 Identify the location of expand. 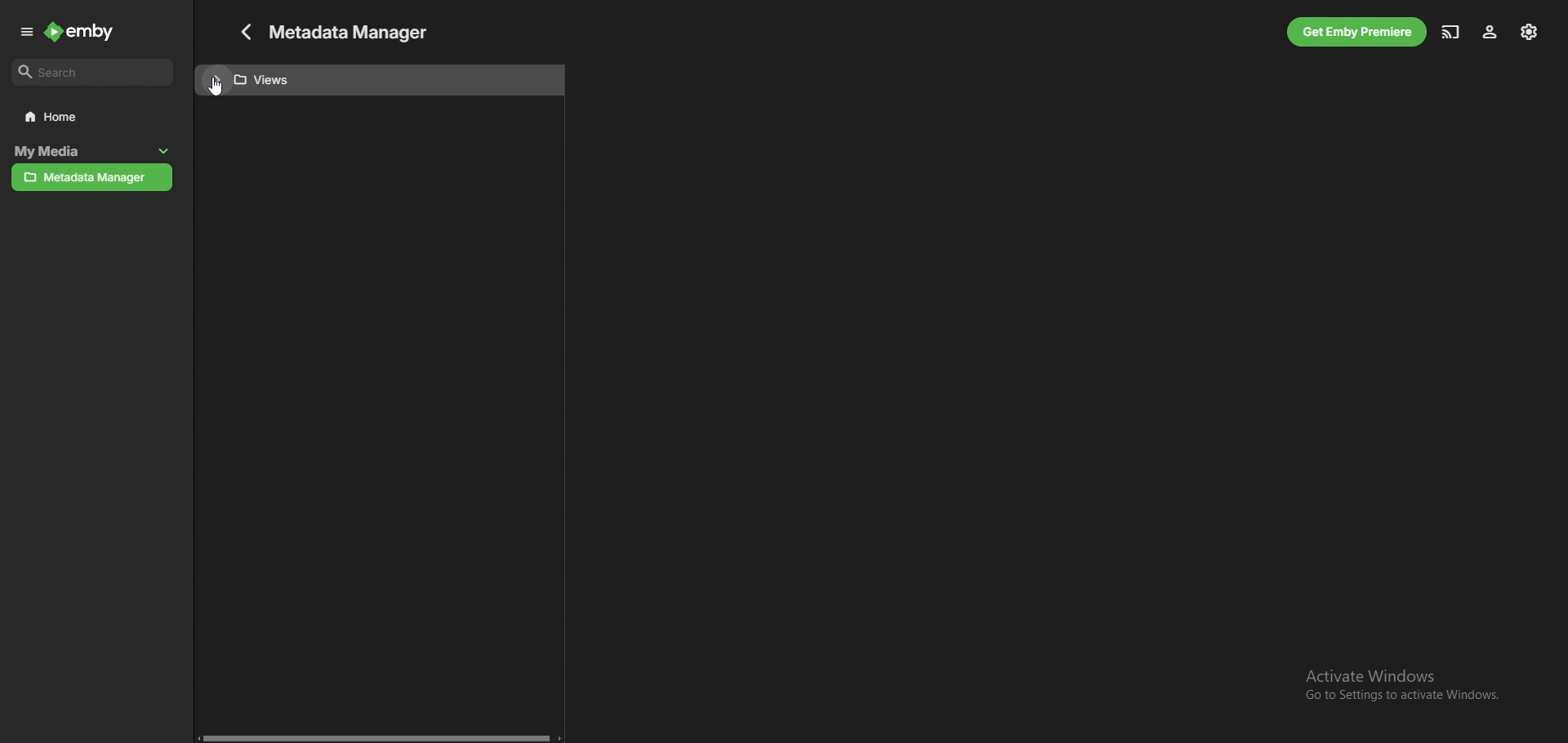
(28, 33).